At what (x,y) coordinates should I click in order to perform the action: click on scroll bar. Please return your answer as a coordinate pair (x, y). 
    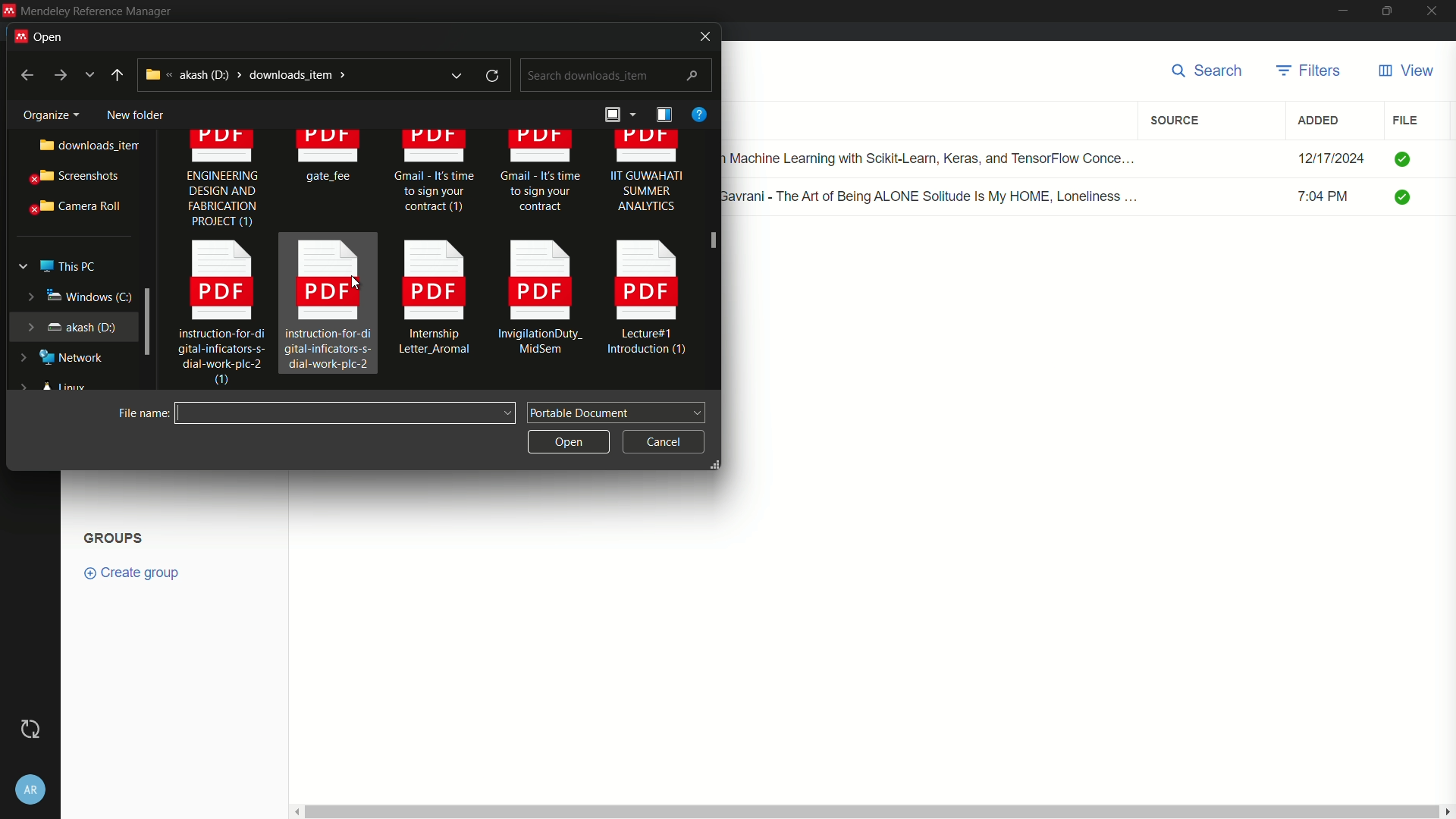
    Looking at the image, I should click on (713, 261).